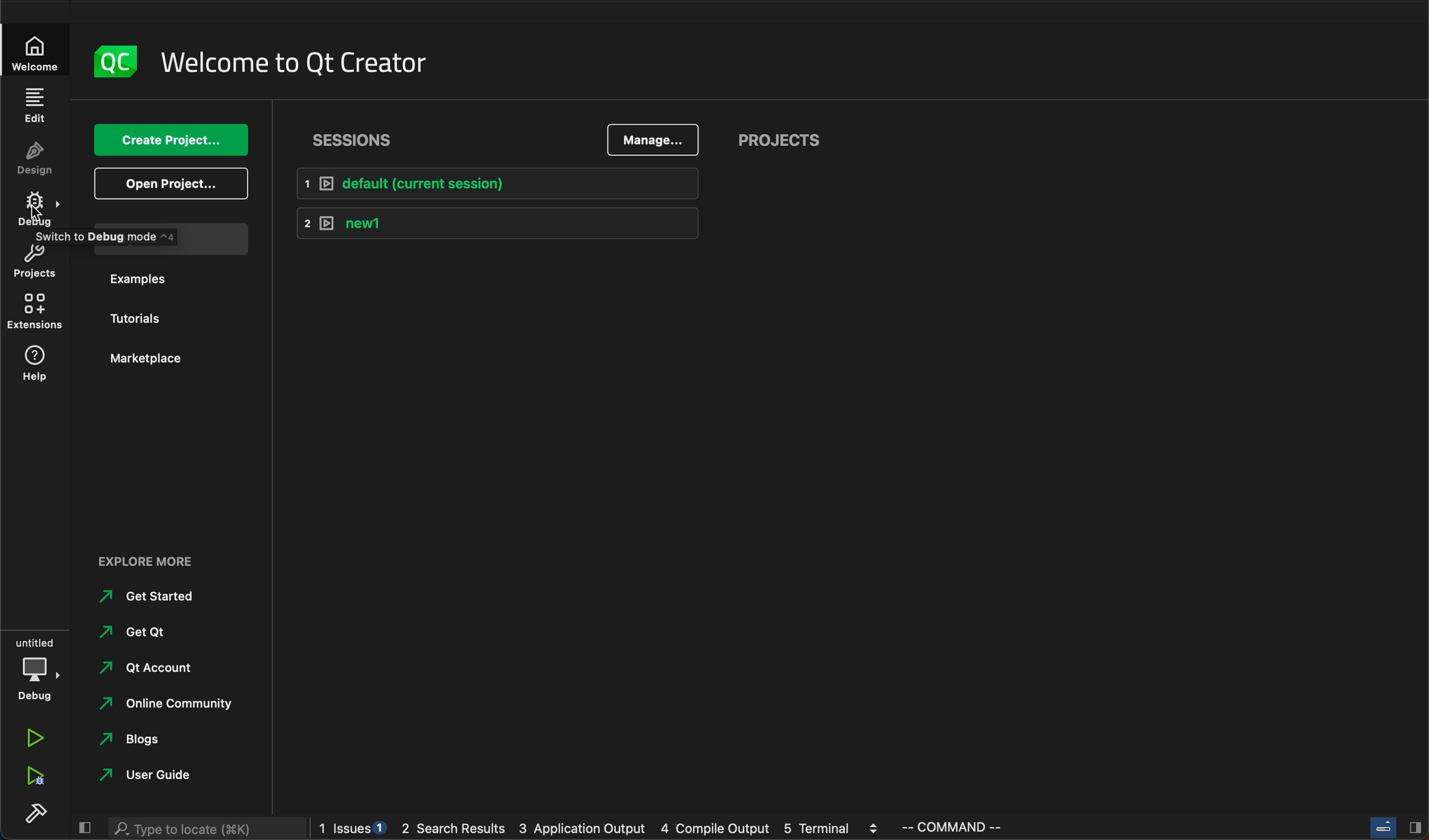 This screenshot has width=1429, height=840. Describe the element at coordinates (146, 358) in the screenshot. I see `marketplace` at that location.